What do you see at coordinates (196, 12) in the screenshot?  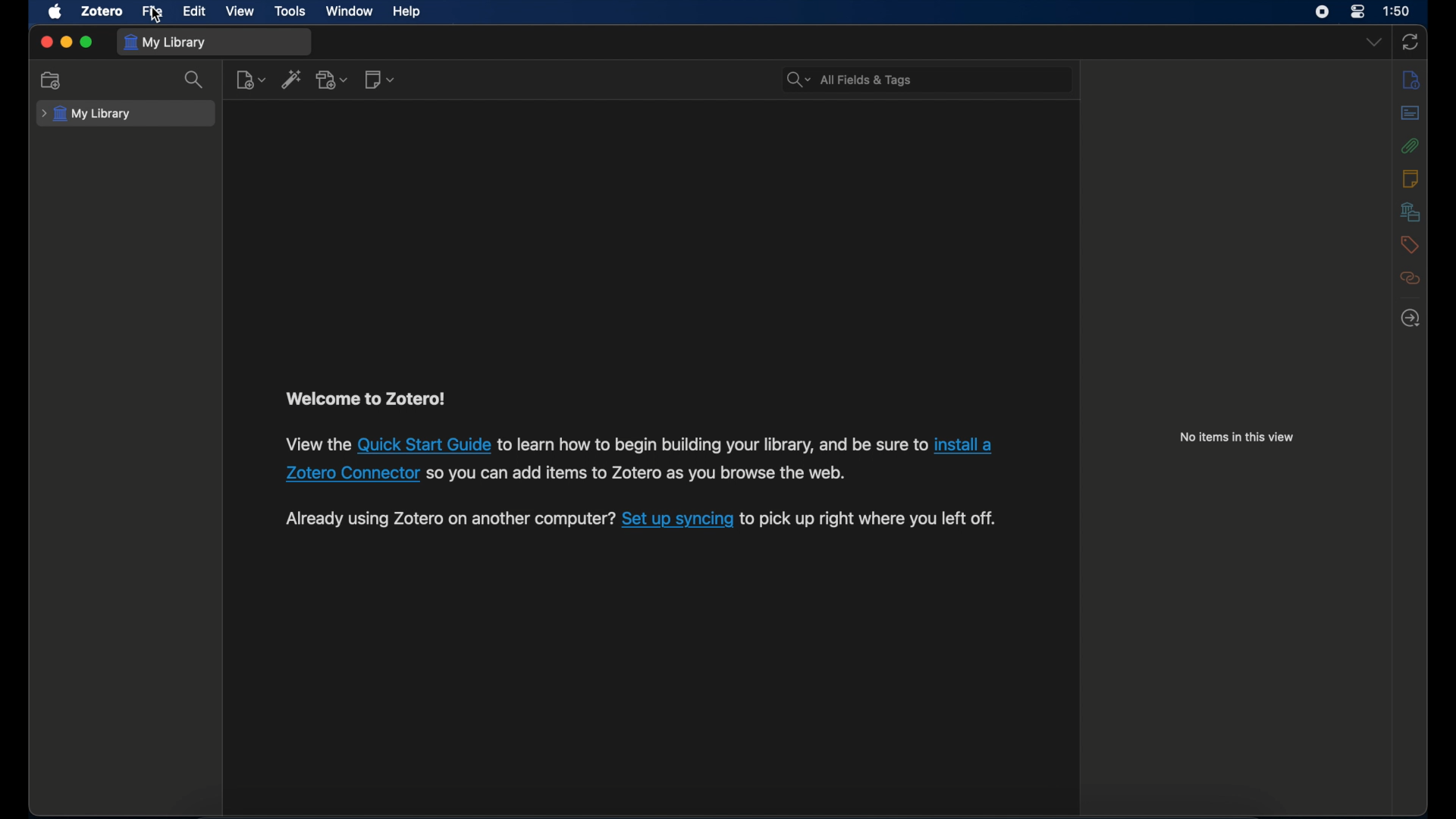 I see `edit` at bounding box center [196, 12].